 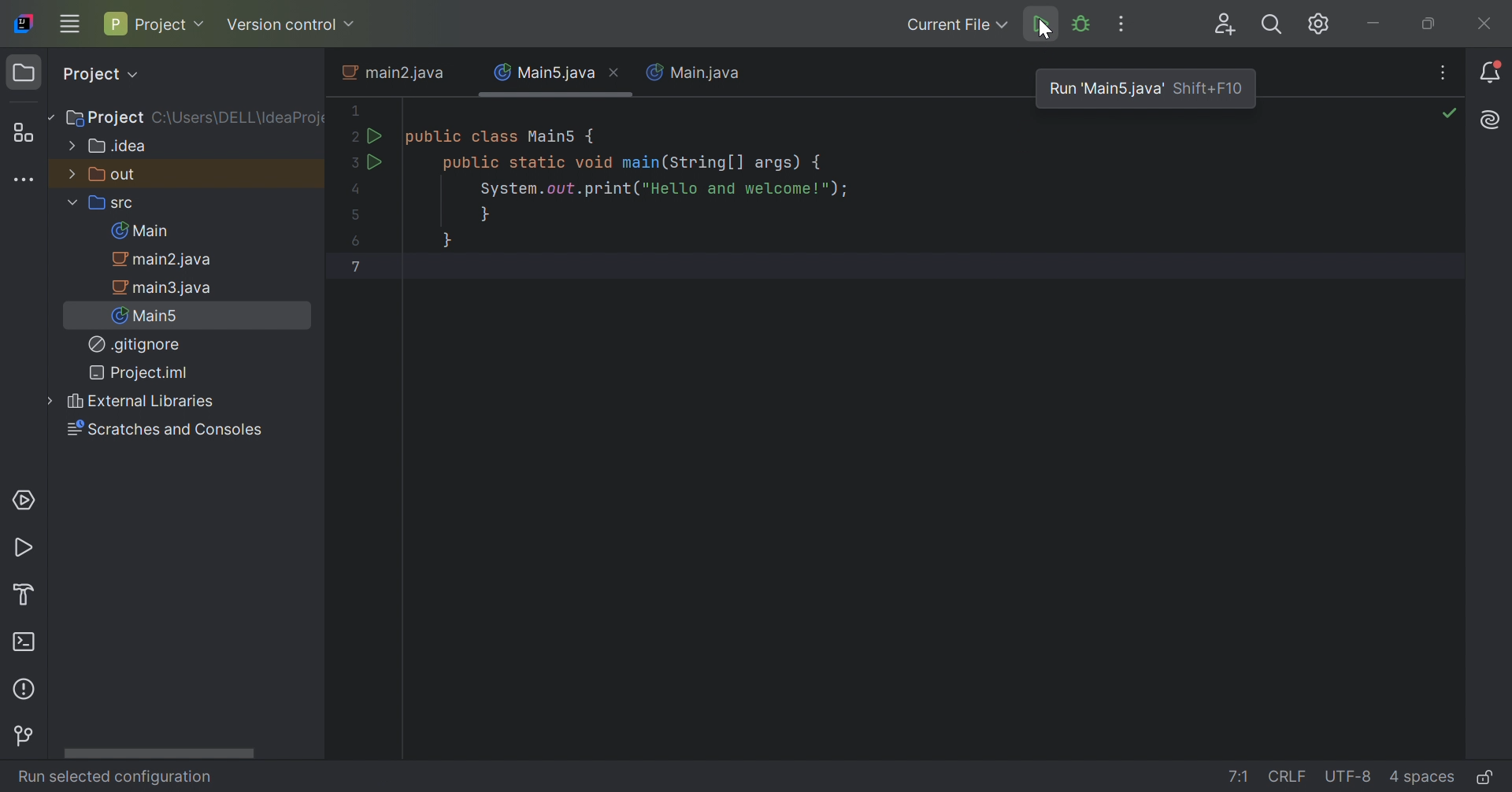 What do you see at coordinates (1082, 26) in the screenshot?
I see `Debug` at bounding box center [1082, 26].